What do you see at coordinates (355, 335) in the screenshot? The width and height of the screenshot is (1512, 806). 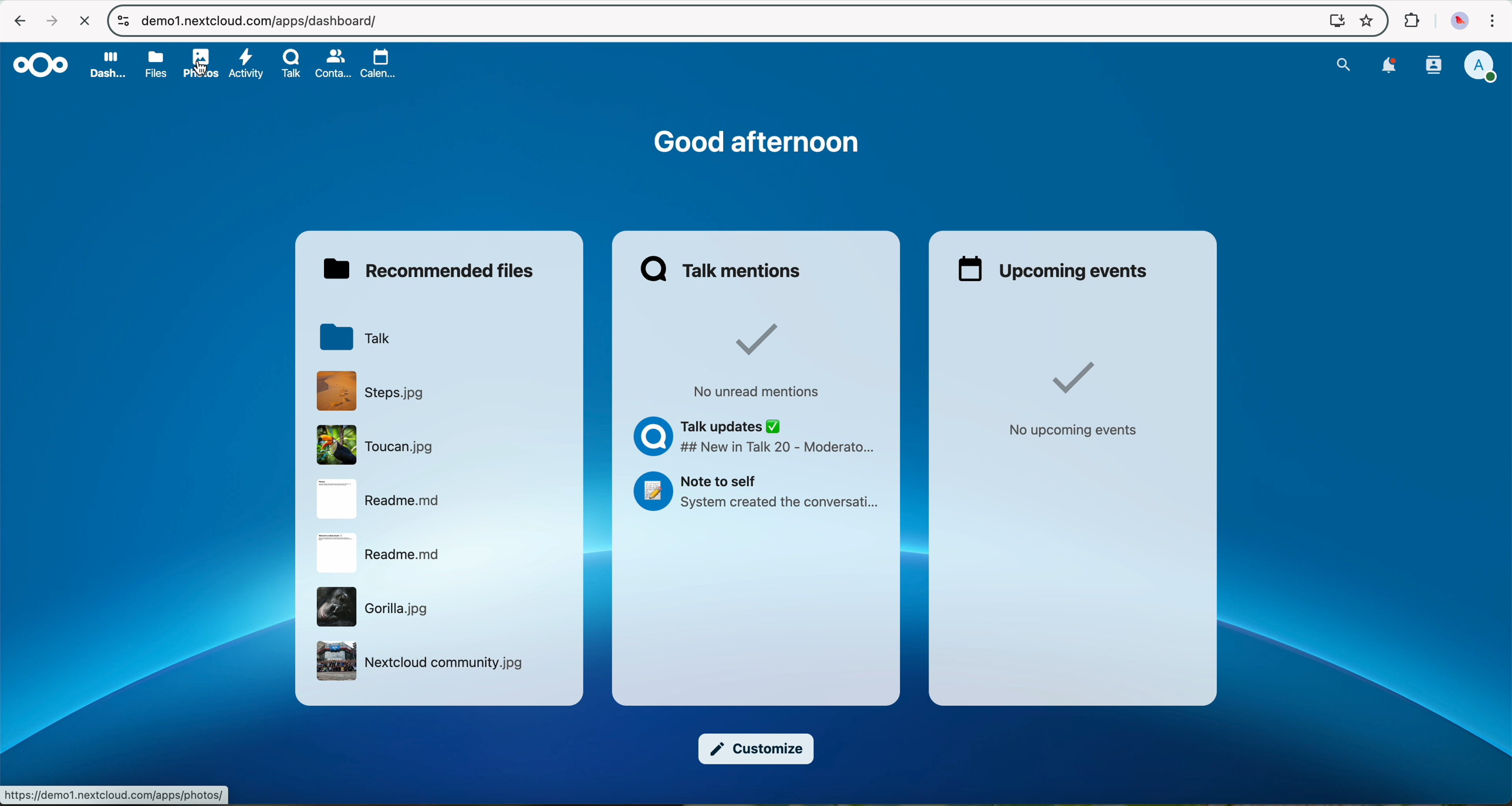 I see `Talk folder` at bounding box center [355, 335].